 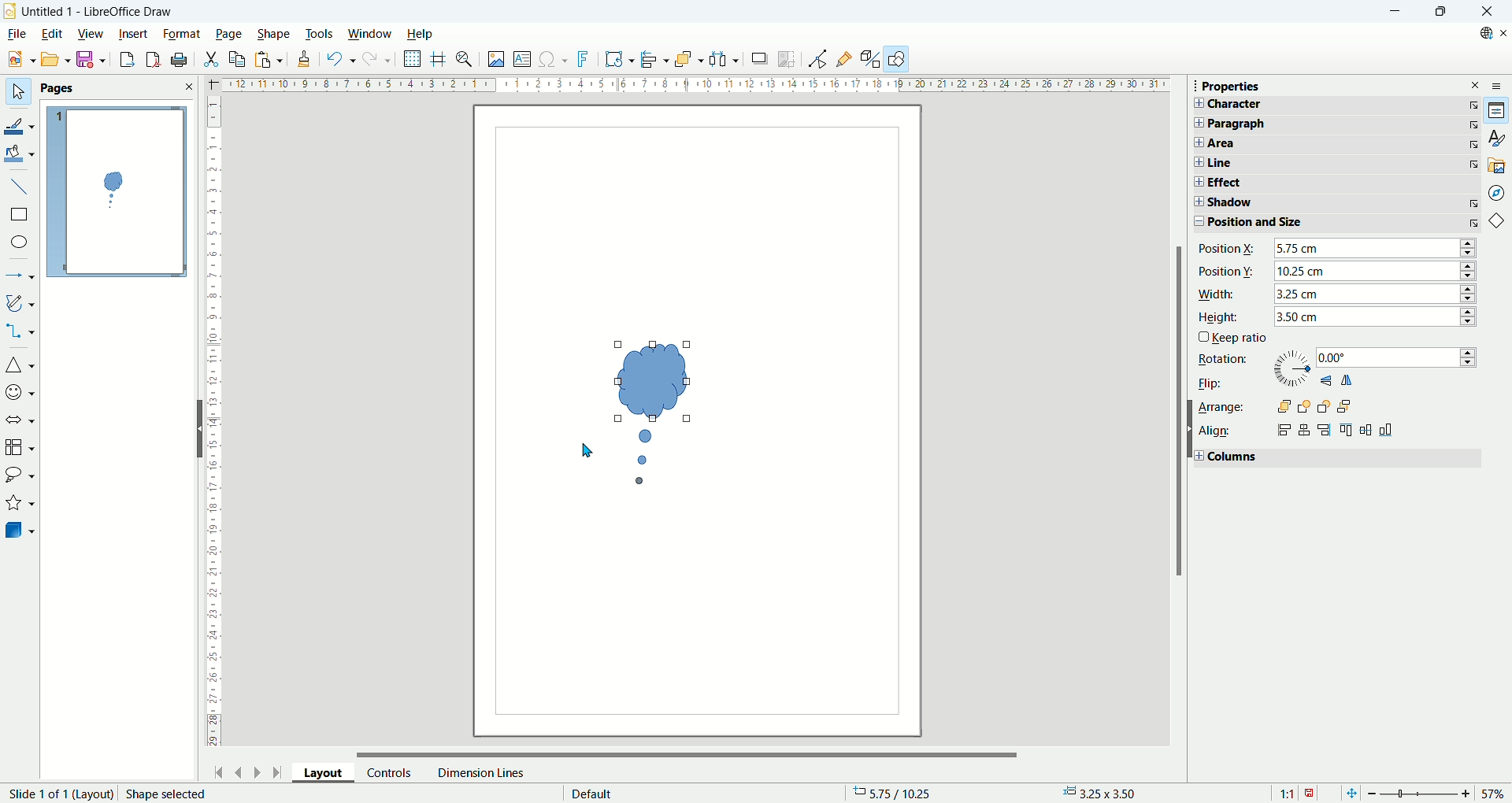 What do you see at coordinates (1195, 182) in the screenshot?
I see `Expand` at bounding box center [1195, 182].